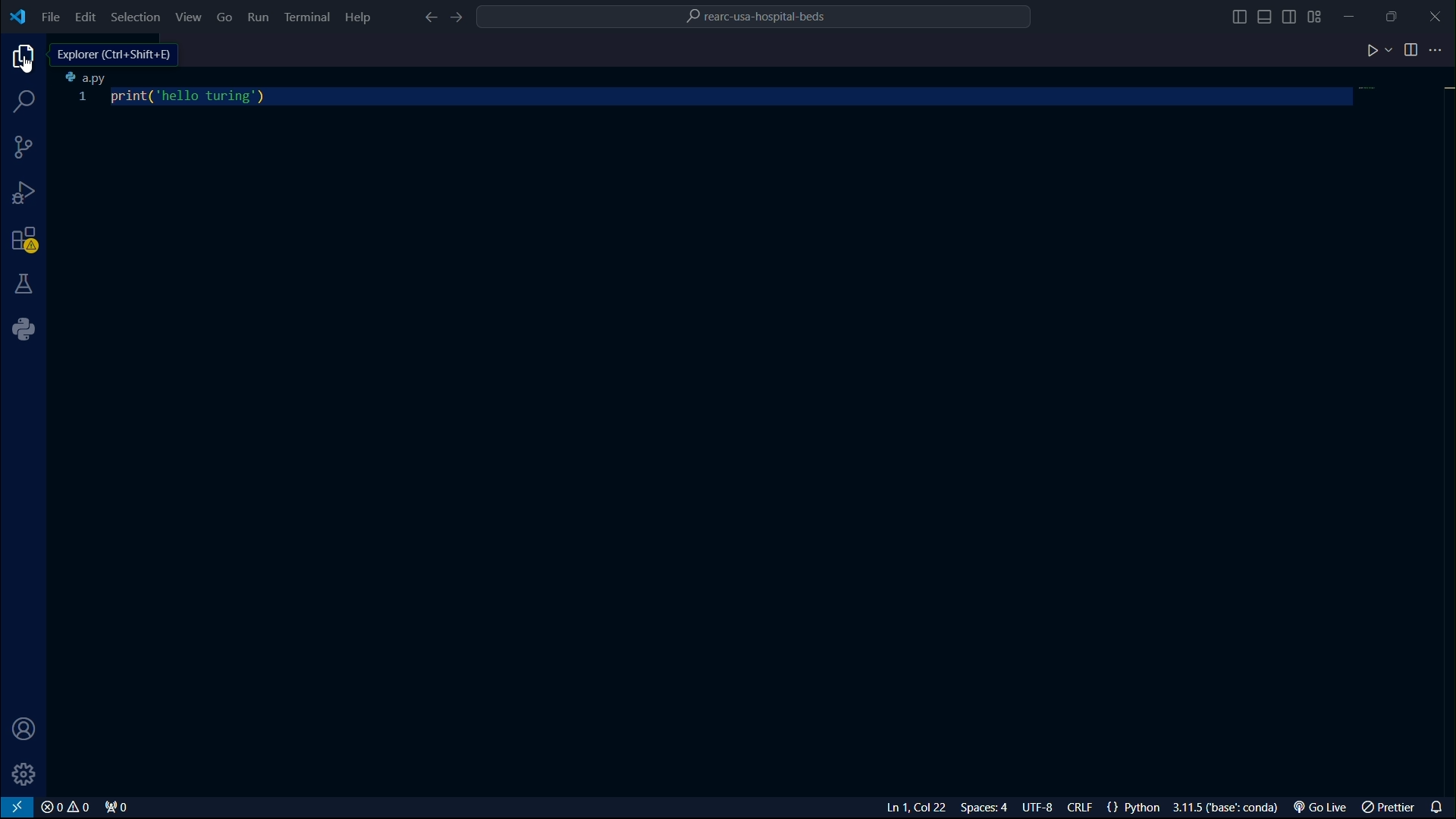  Describe the element at coordinates (84, 99) in the screenshot. I see `1` at that location.